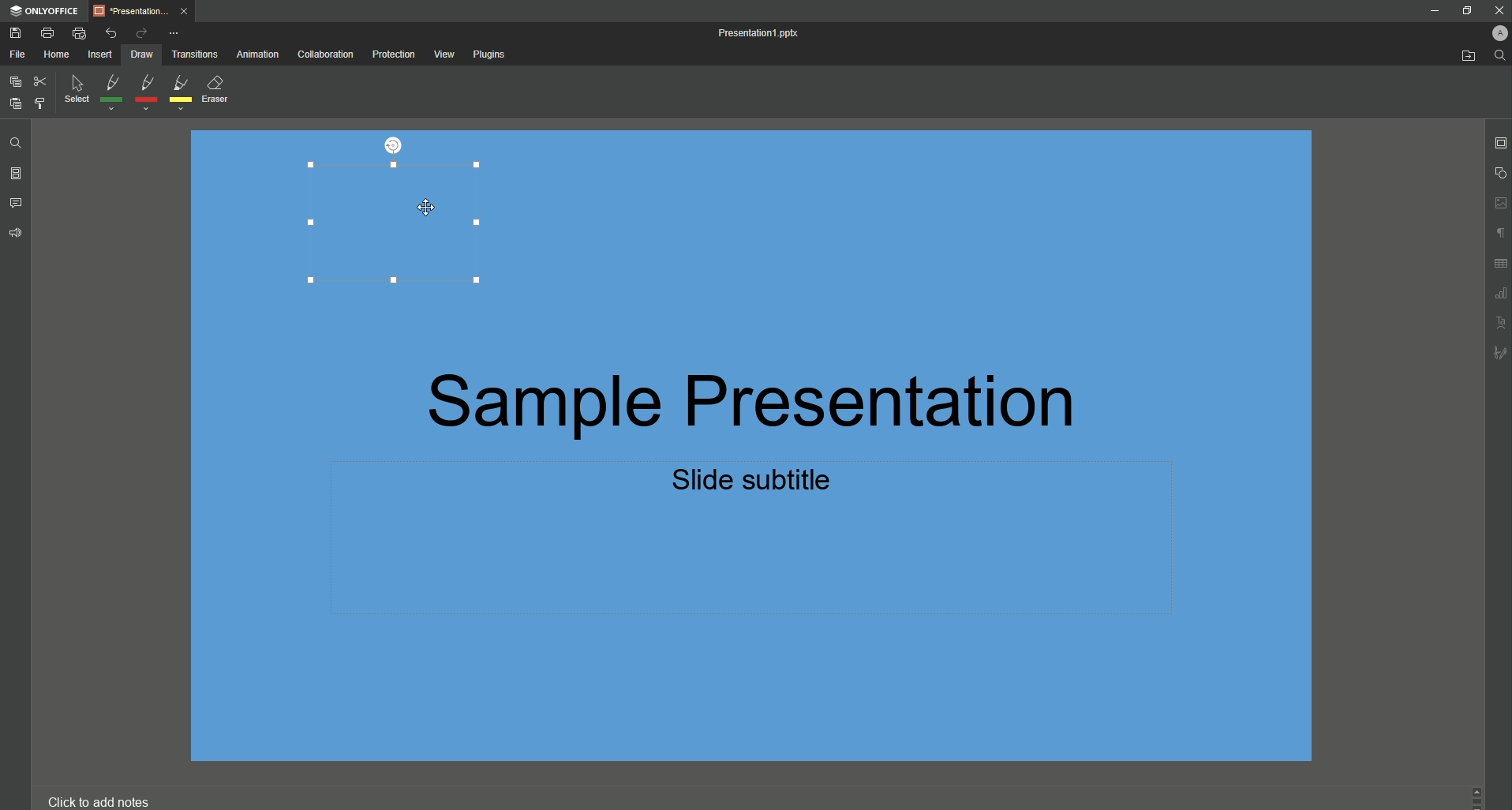  I want to click on Choose Styling, so click(39, 103).